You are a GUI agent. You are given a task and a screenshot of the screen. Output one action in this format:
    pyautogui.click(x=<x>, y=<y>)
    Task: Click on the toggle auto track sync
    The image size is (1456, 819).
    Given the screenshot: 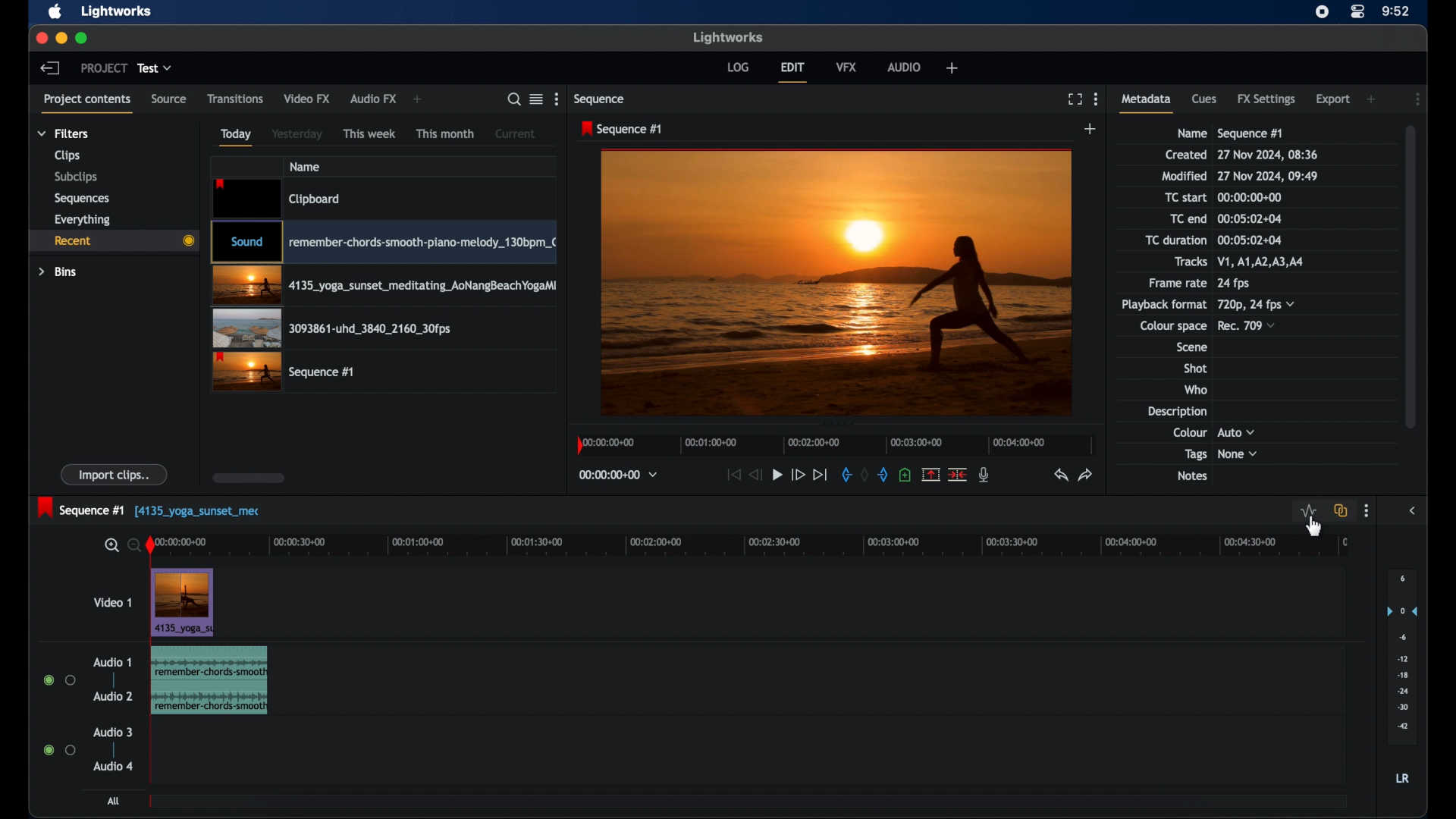 What is the action you would take?
    pyautogui.click(x=1341, y=510)
    